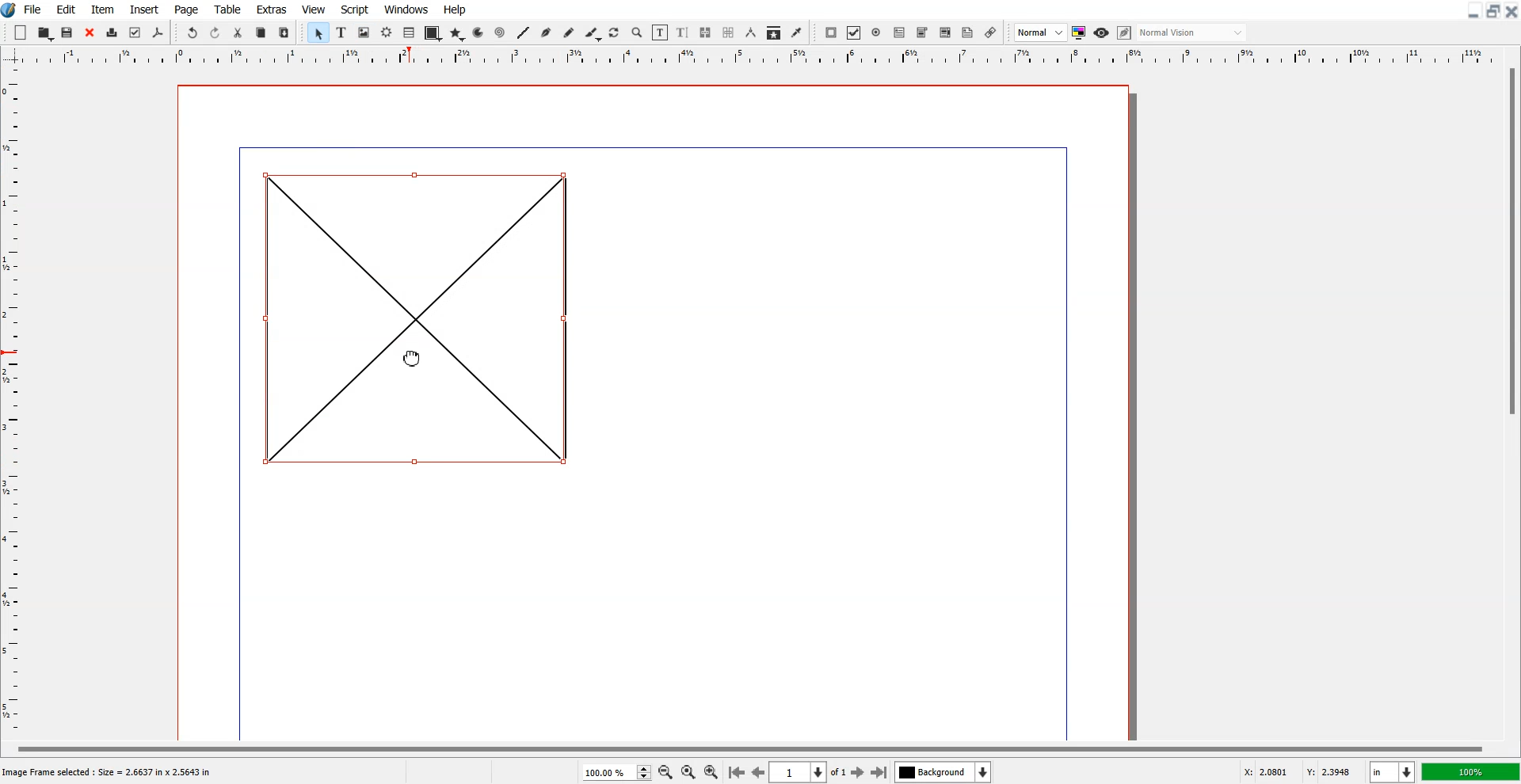 This screenshot has width=1521, height=784. Describe the element at coordinates (387, 32) in the screenshot. I see `Render frame` at that location.